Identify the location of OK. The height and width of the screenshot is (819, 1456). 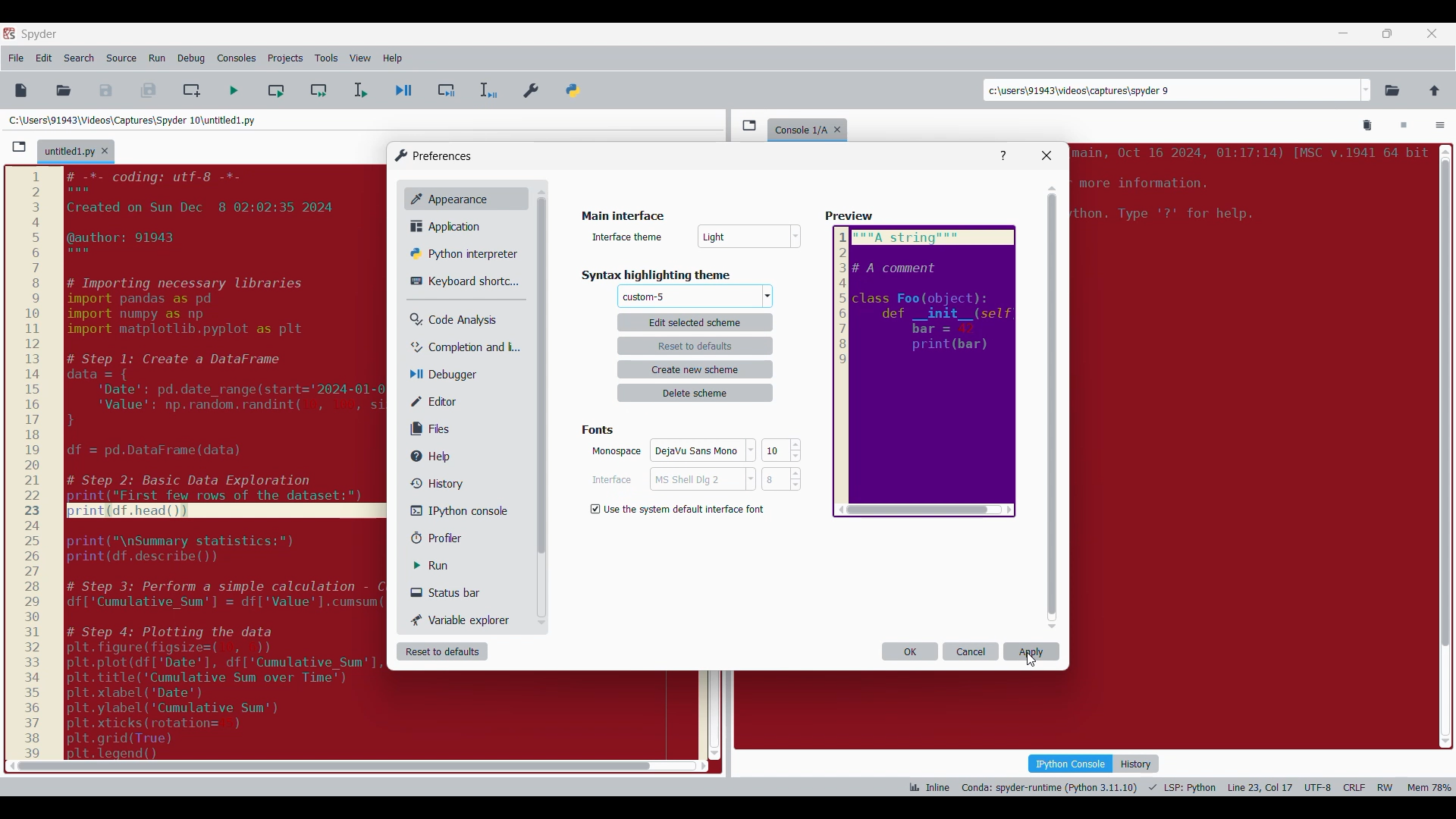
(696, 453).